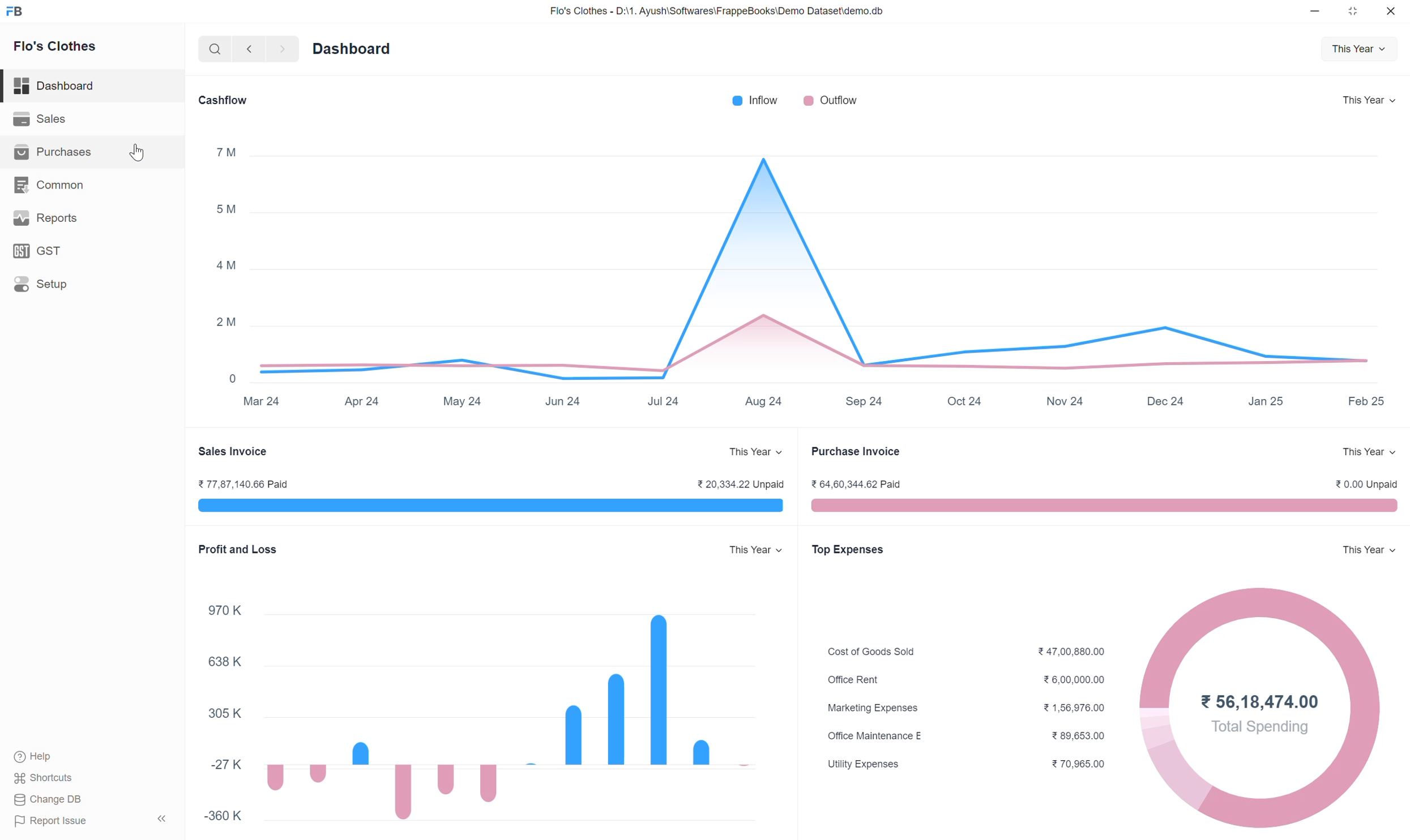  Describe the element at coordinates (1065, 401) in the screenshot. I see `Nov 24` at that location.